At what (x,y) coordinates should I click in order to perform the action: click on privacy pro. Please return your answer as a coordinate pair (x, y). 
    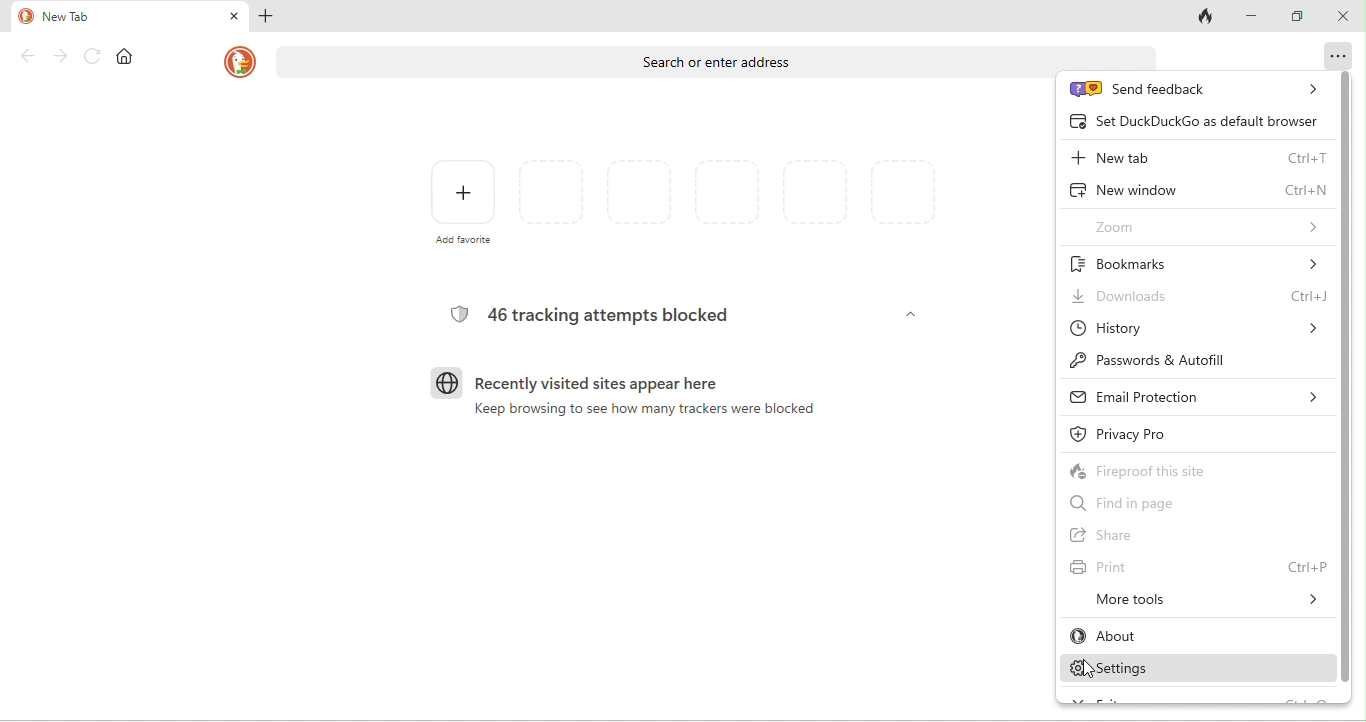
    Looking at the image, I should click on (1139, 436).